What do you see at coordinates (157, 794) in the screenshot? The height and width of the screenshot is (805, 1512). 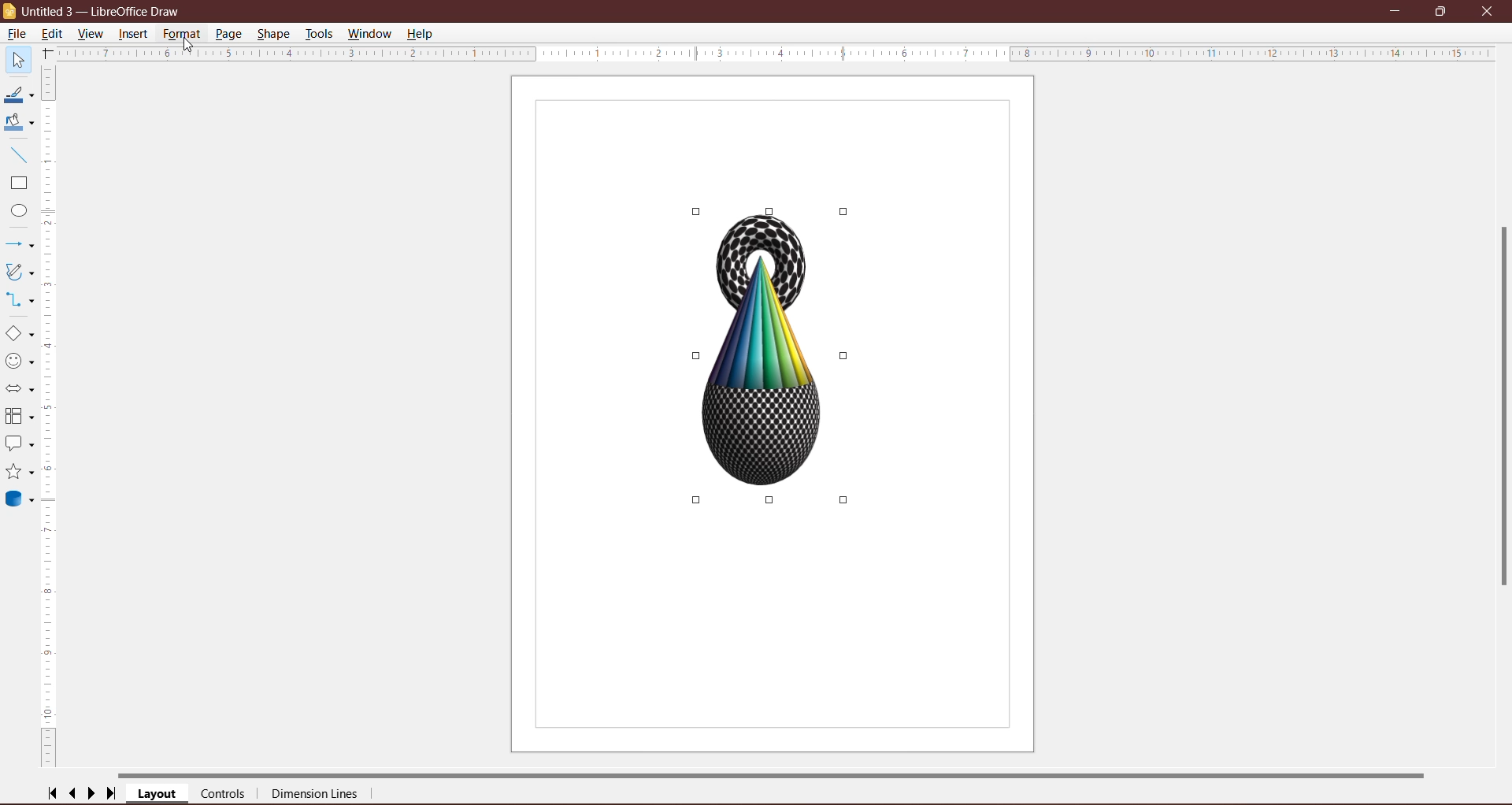 I see `Layer` at bounding box center [157, 794].